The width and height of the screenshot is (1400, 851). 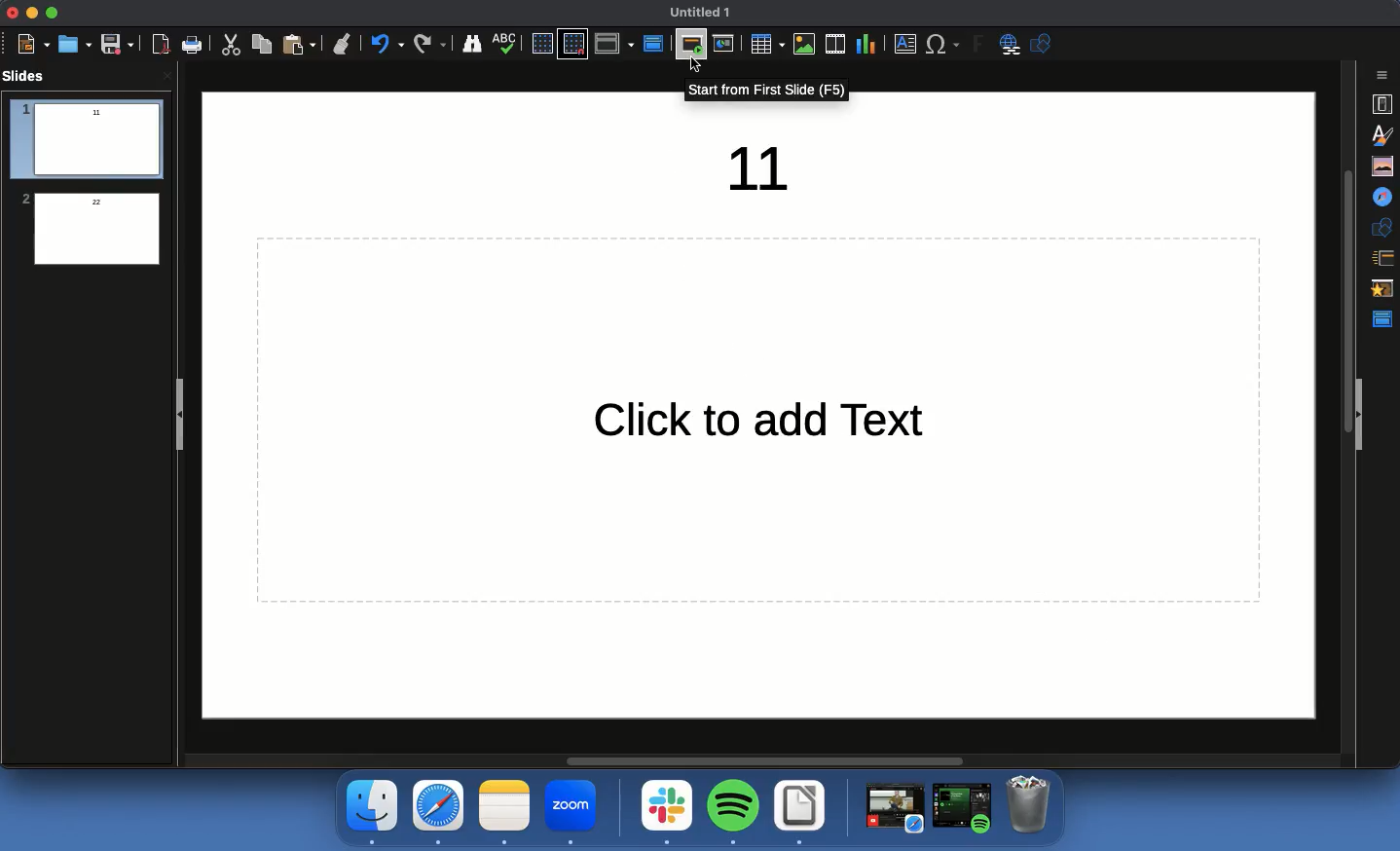 I want to click on Audio video, so click(x=836, y=43).